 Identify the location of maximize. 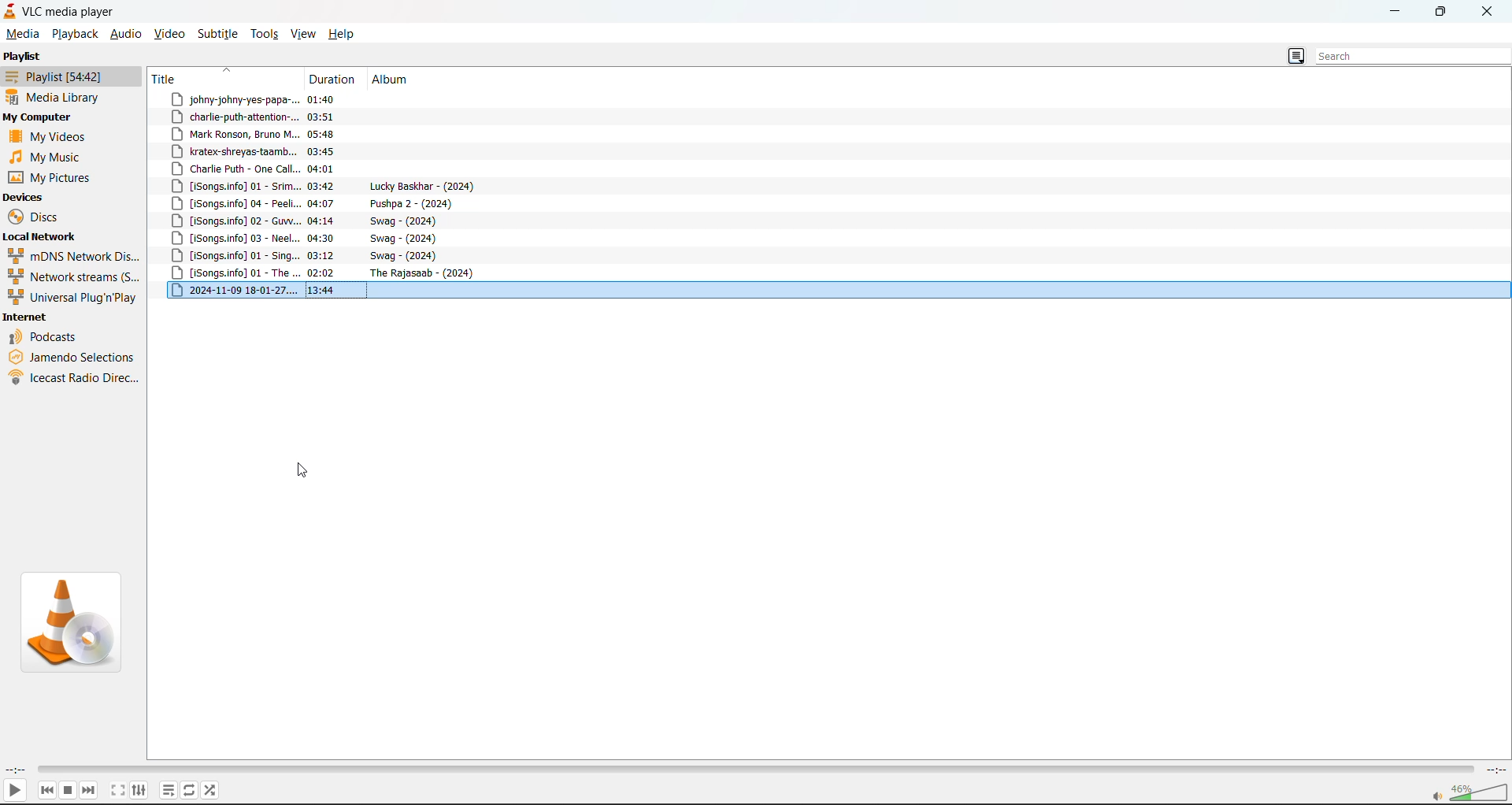
(1440, 13).